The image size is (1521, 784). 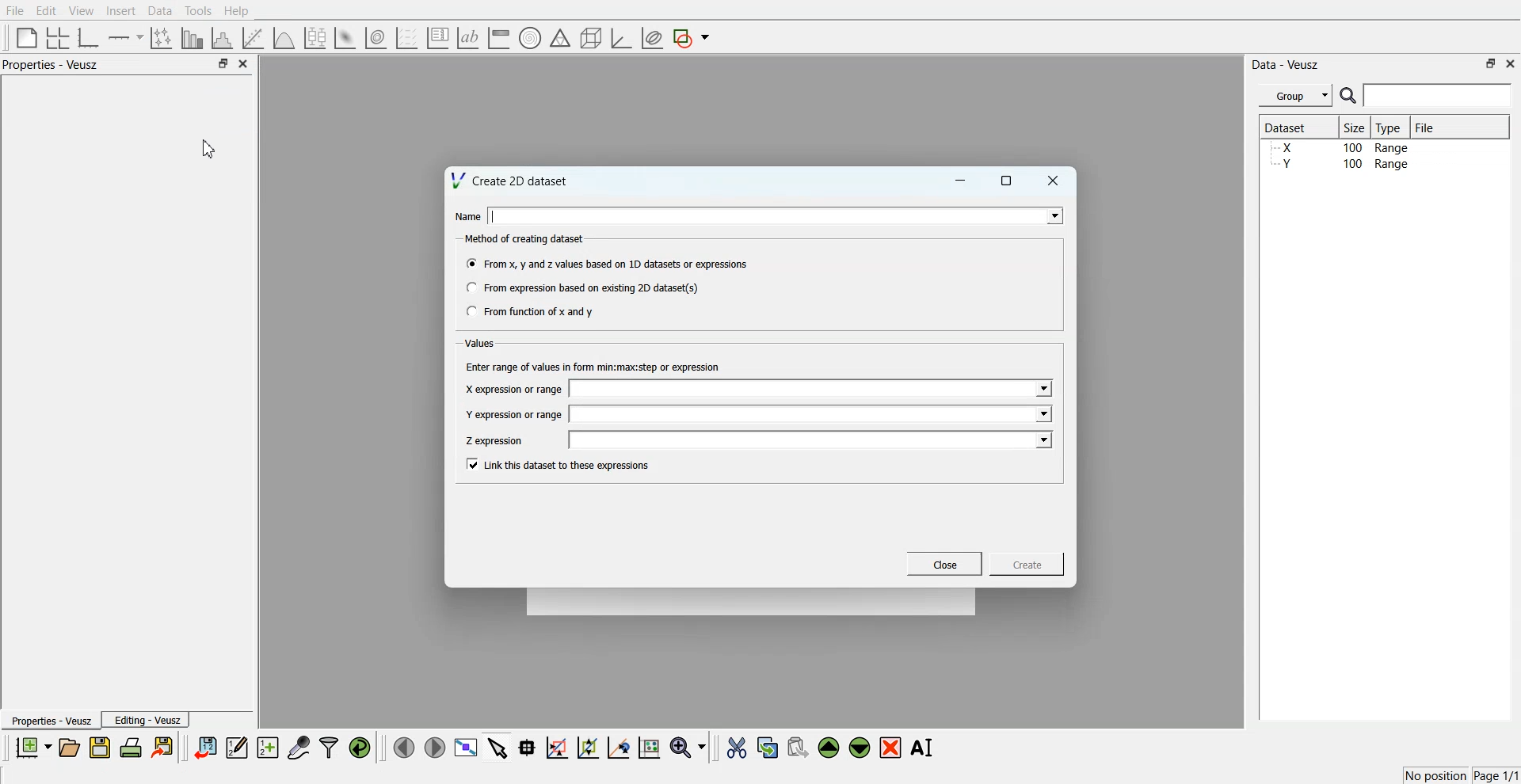 What do you see at coordinates (960, 181) in the screenshot?
I see `Minimize` at bounding box center [960, 181].